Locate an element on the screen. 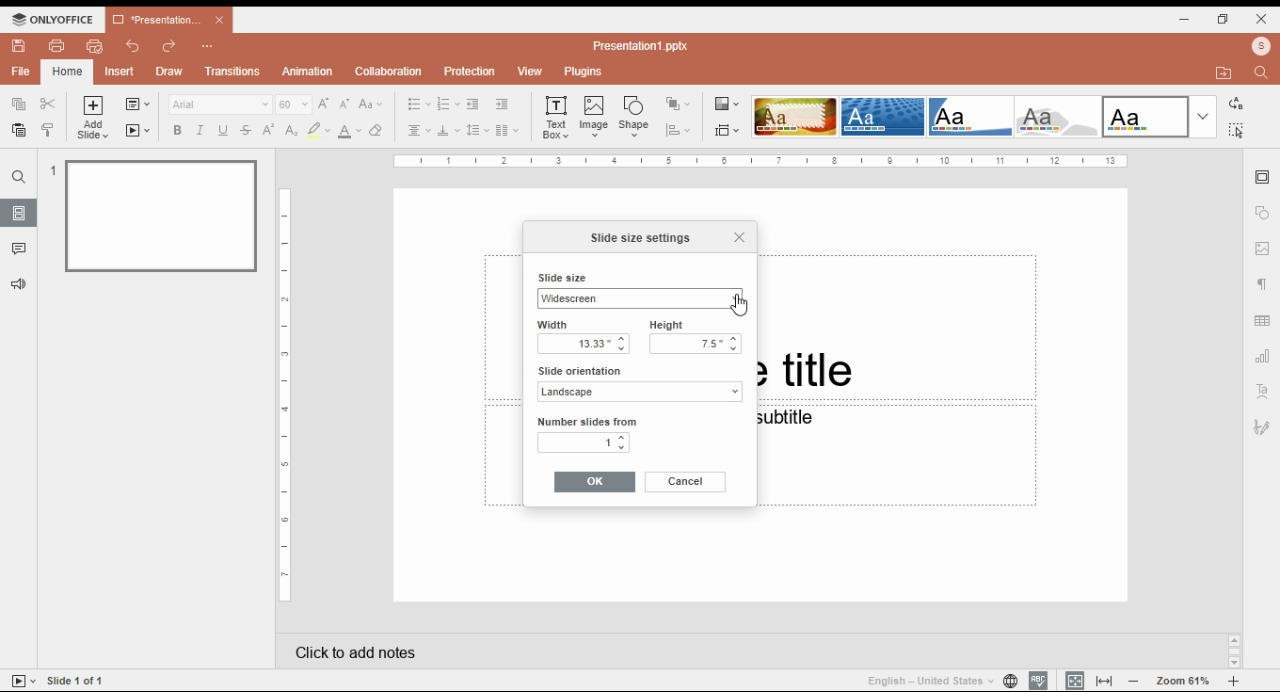 This screenshot has width=1280, height=692. Presentation1.pptx is located at coordinates (644, 45).